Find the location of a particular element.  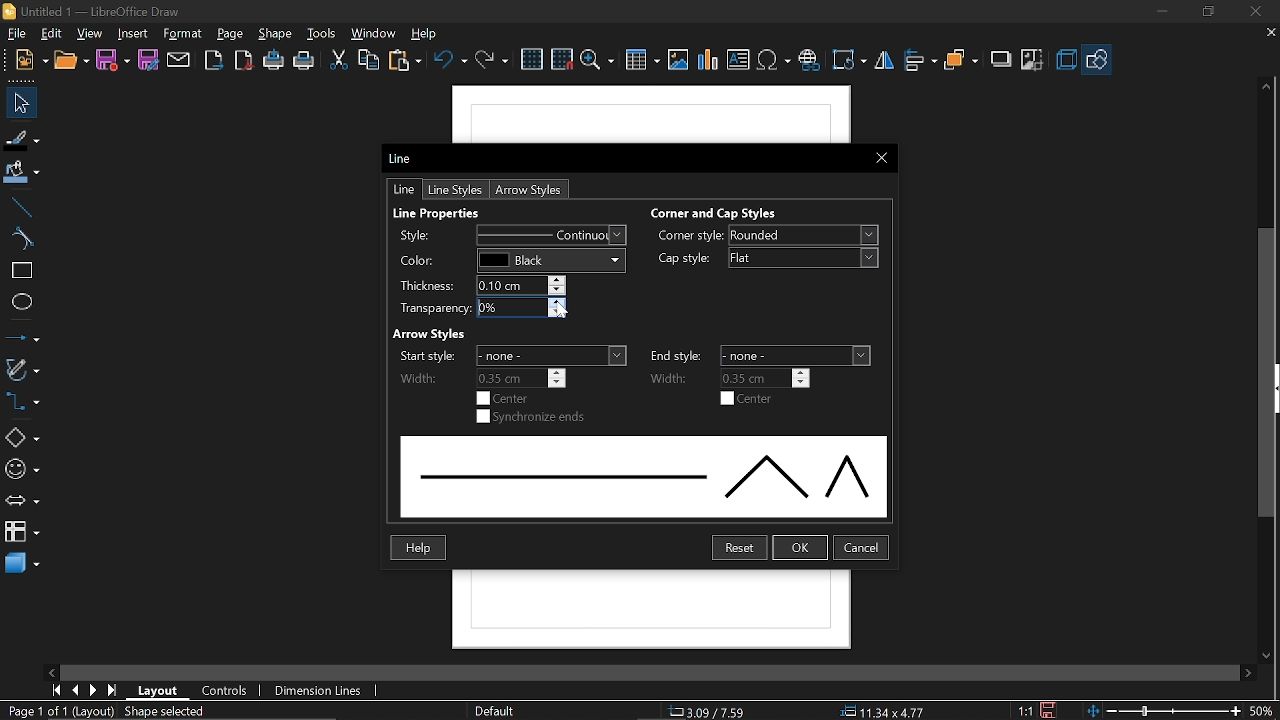

Insert text is located at coordinates (738, 57).